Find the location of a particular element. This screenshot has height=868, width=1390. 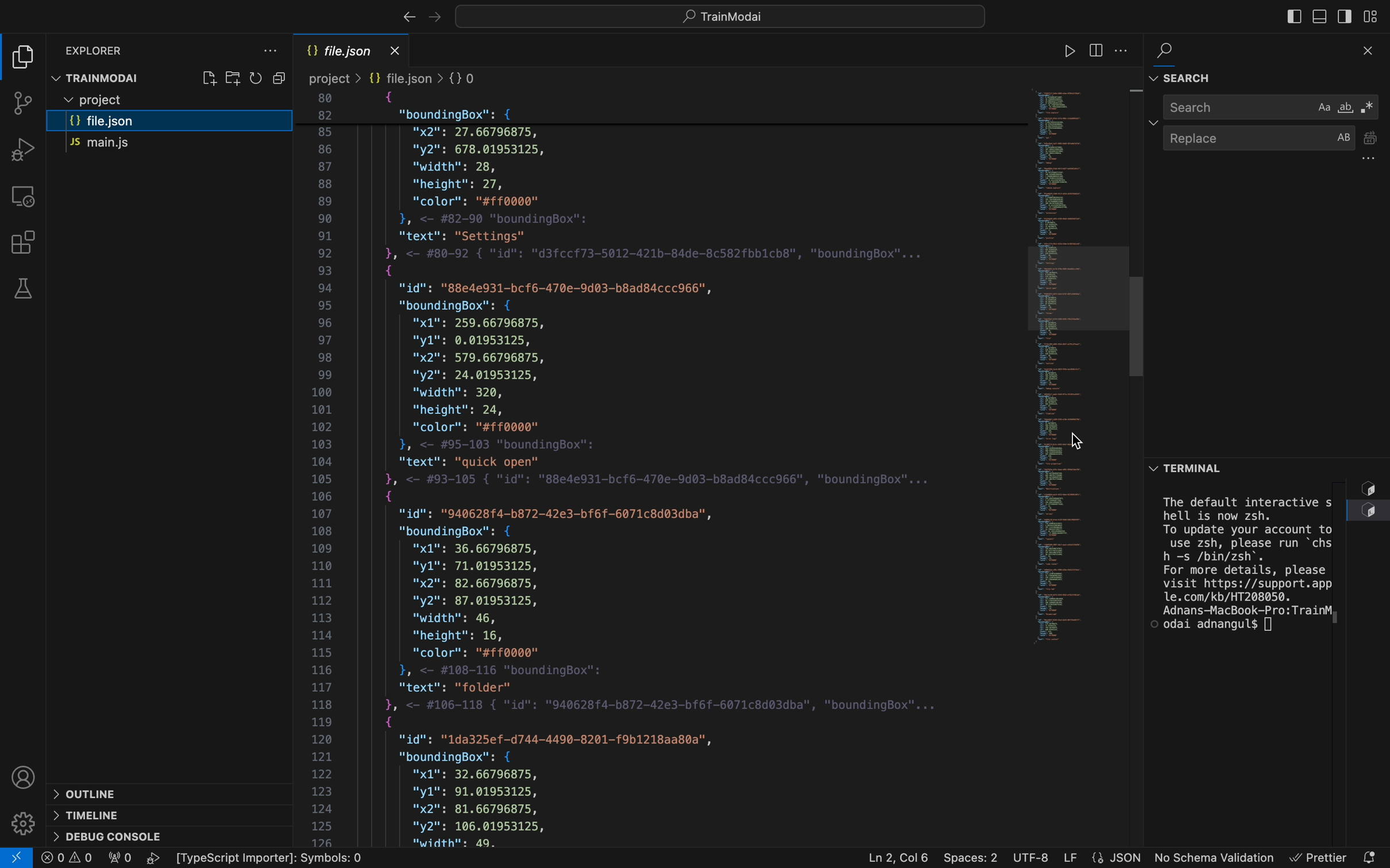

search is located at coordinates (1272, 107).